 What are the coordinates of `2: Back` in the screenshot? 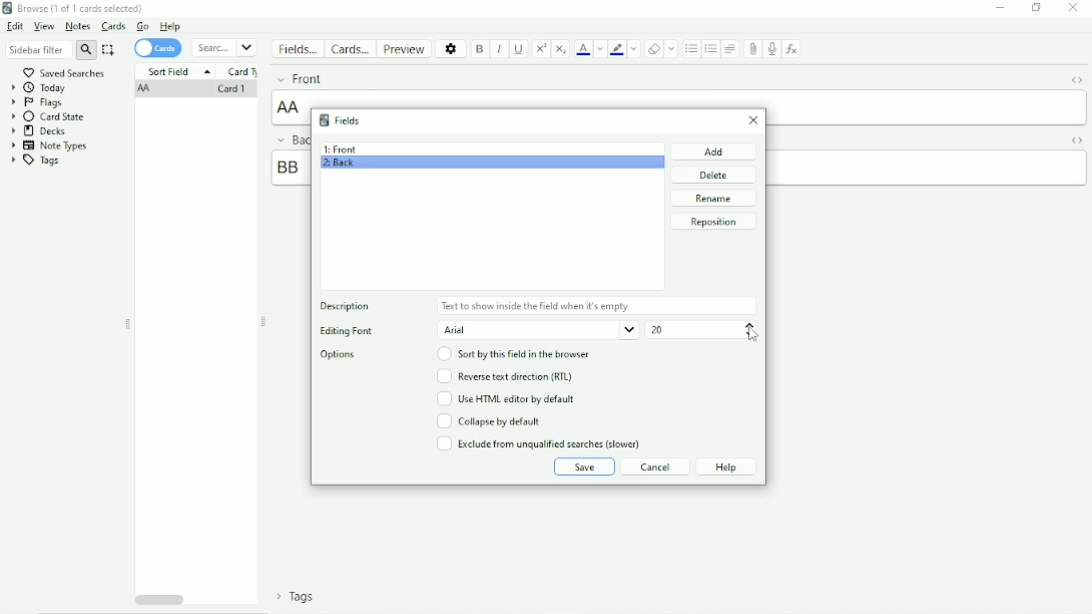 It's located at (339, 165).